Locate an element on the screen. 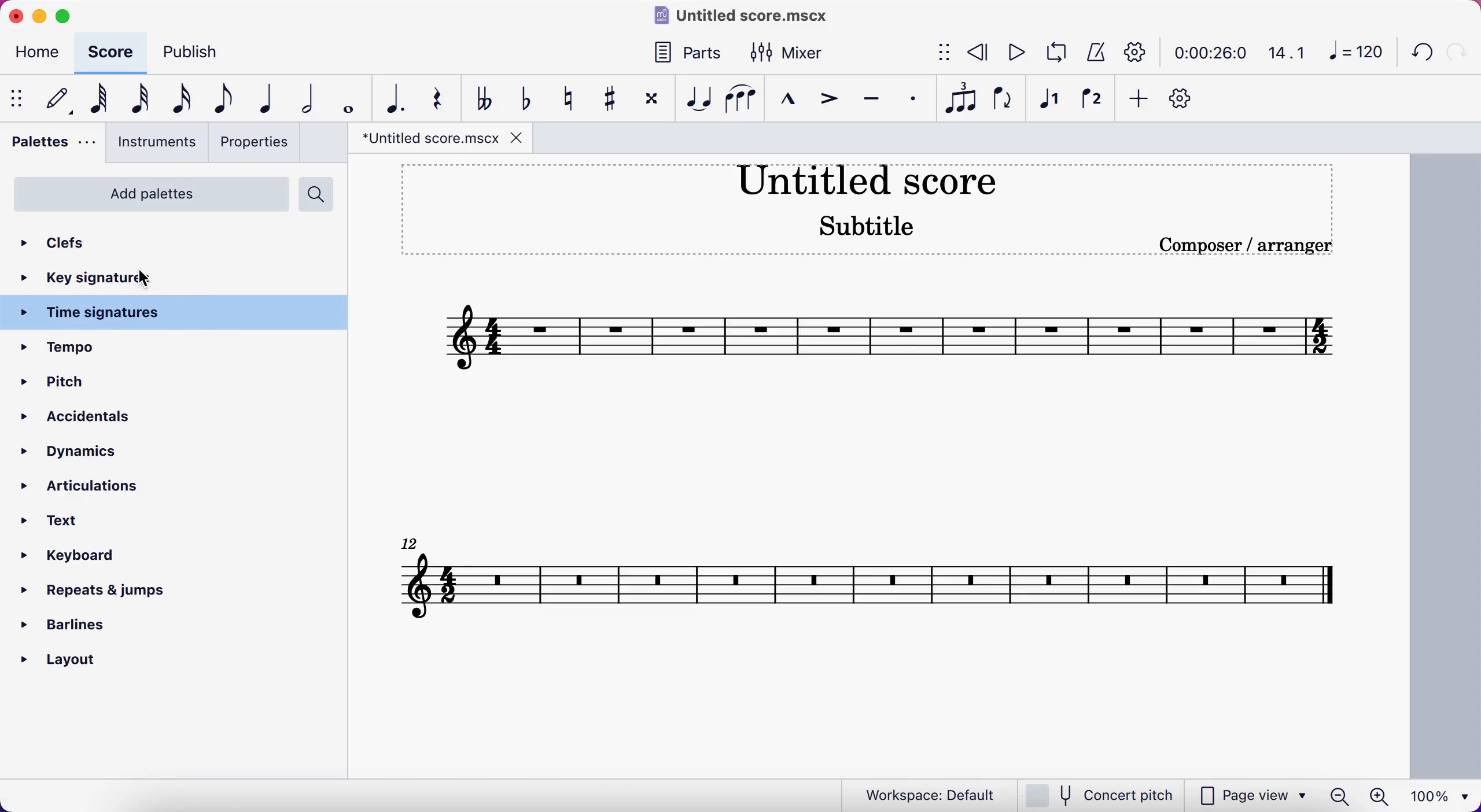 The width and height of the screenshot is (1481, 812). workspace: default is located at coordinates (918, 793).